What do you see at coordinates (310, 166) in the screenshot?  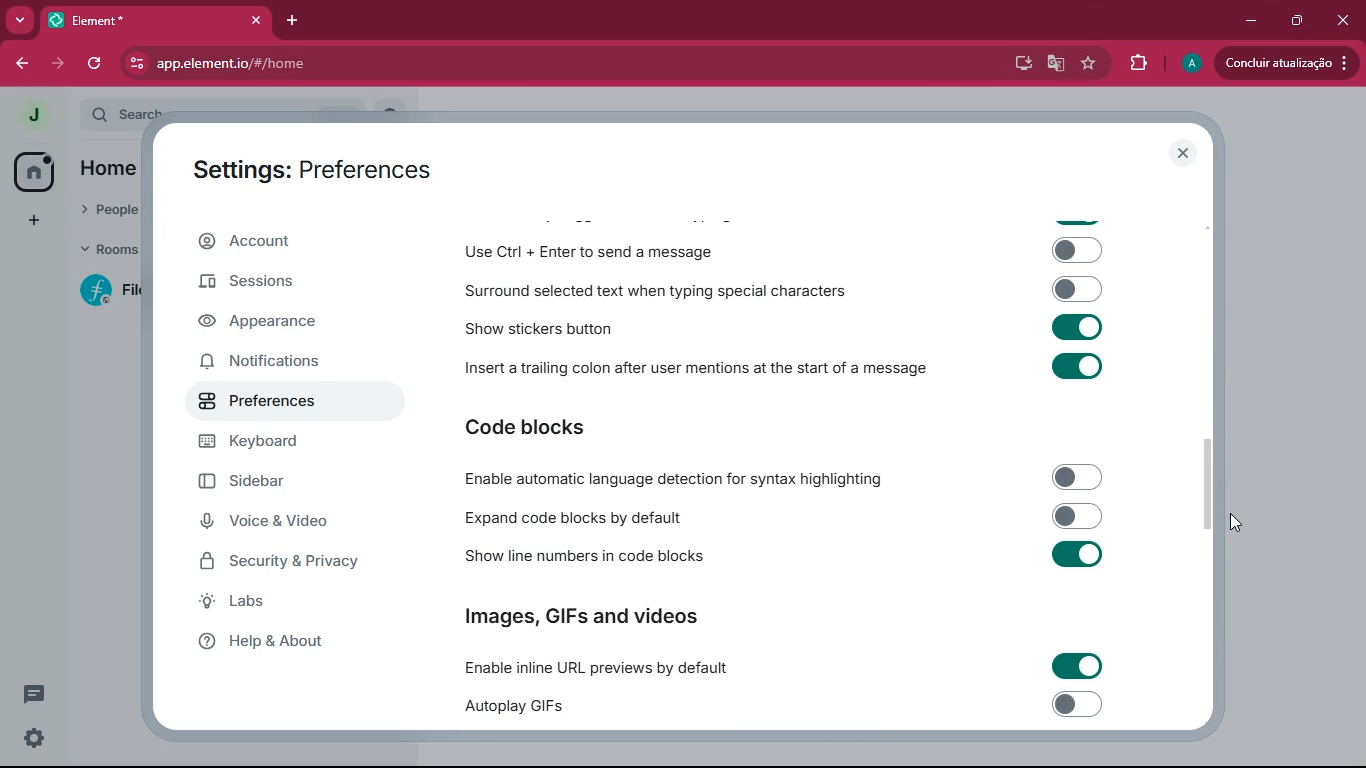 I see `settings: preferences` at bounding box center [310, 166].